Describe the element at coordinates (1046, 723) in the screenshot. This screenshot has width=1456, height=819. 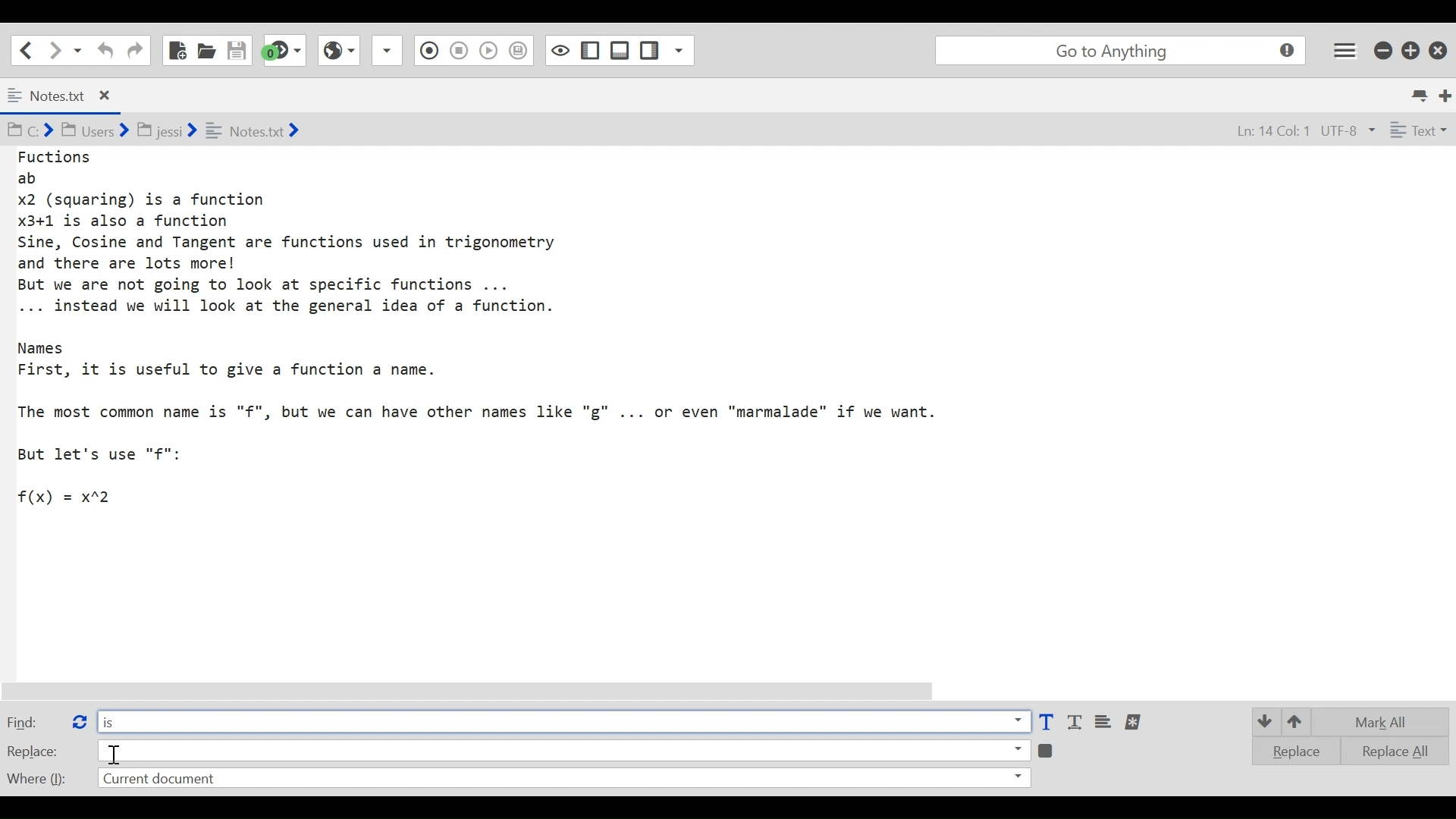
I see `match case` at that location.